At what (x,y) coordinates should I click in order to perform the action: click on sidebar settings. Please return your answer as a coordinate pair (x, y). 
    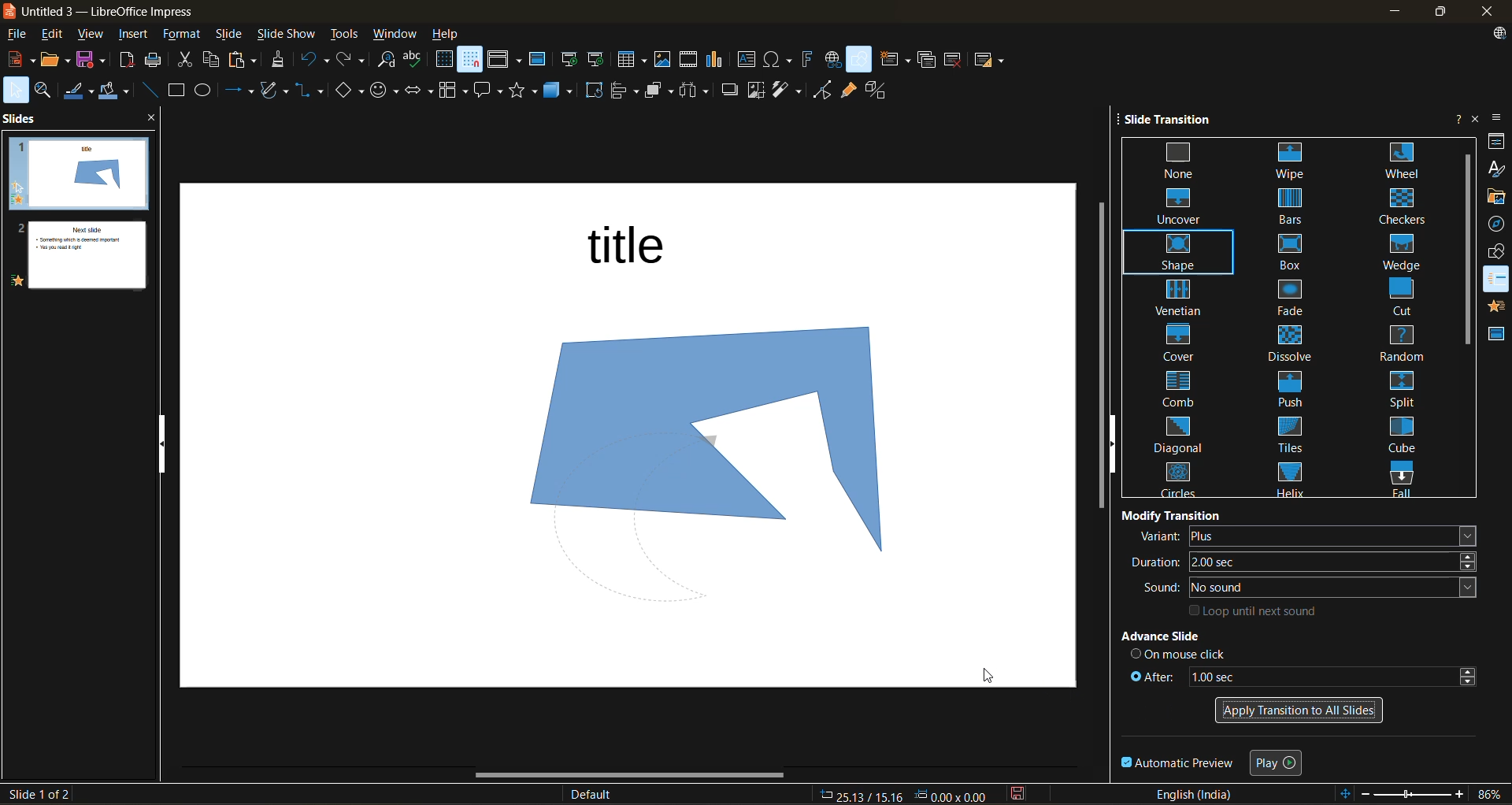
    Looking at the image, I should click on (1499, 117).